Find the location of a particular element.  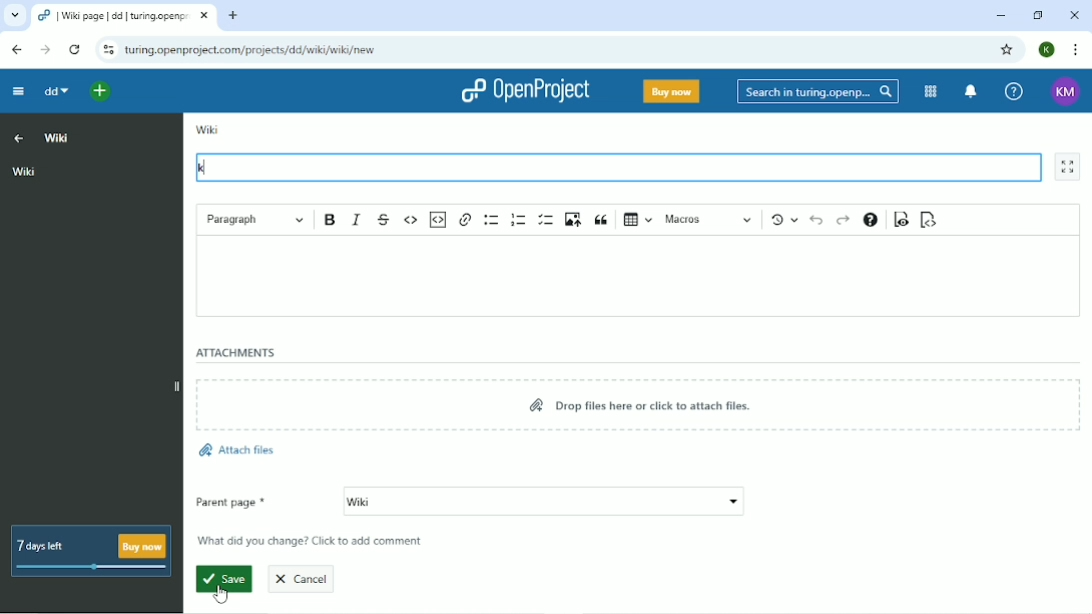

Code is located at coordinates (410, 221).